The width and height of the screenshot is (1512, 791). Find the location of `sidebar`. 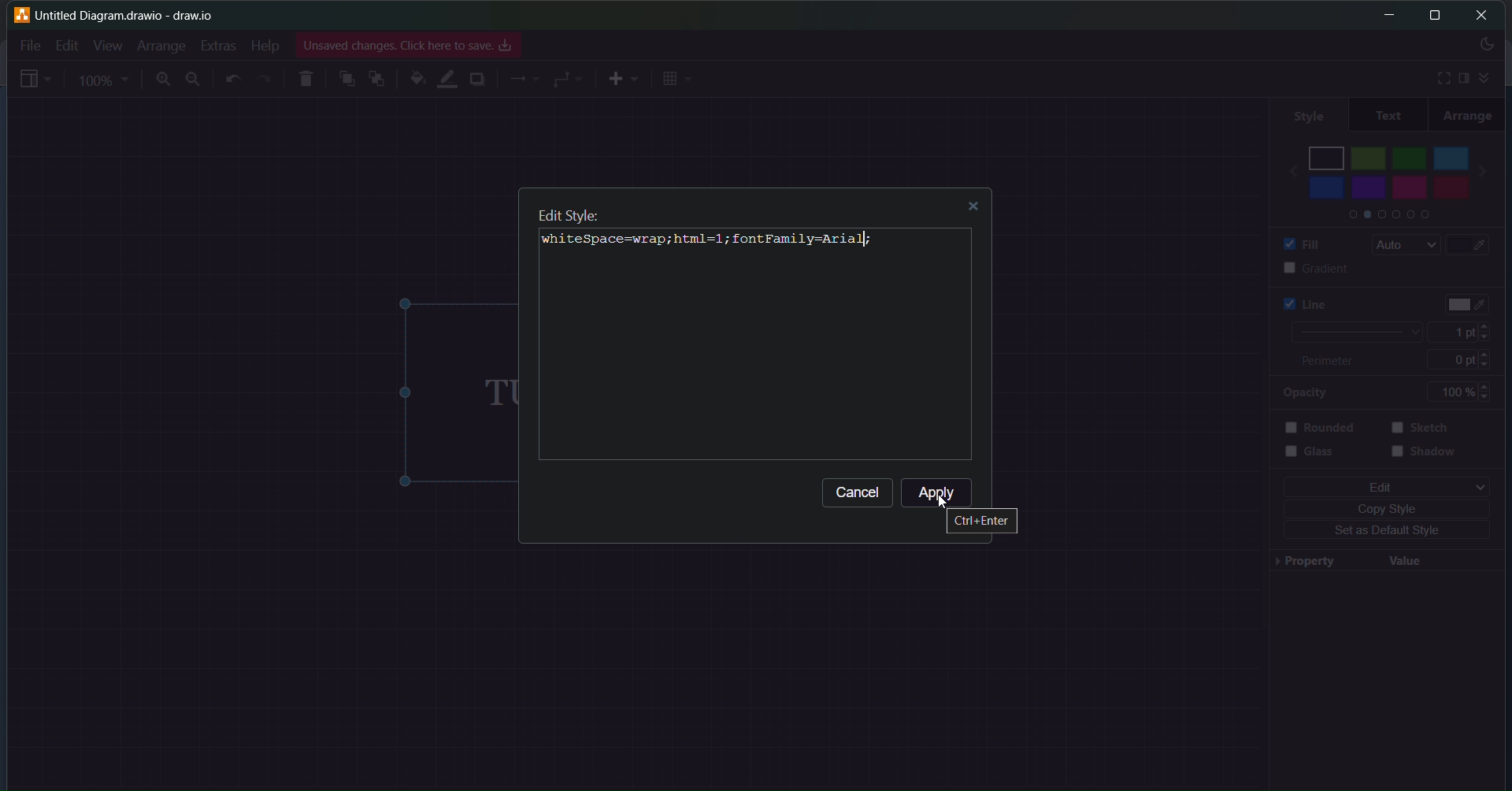

sidebar is located at coordinates (35, 81).